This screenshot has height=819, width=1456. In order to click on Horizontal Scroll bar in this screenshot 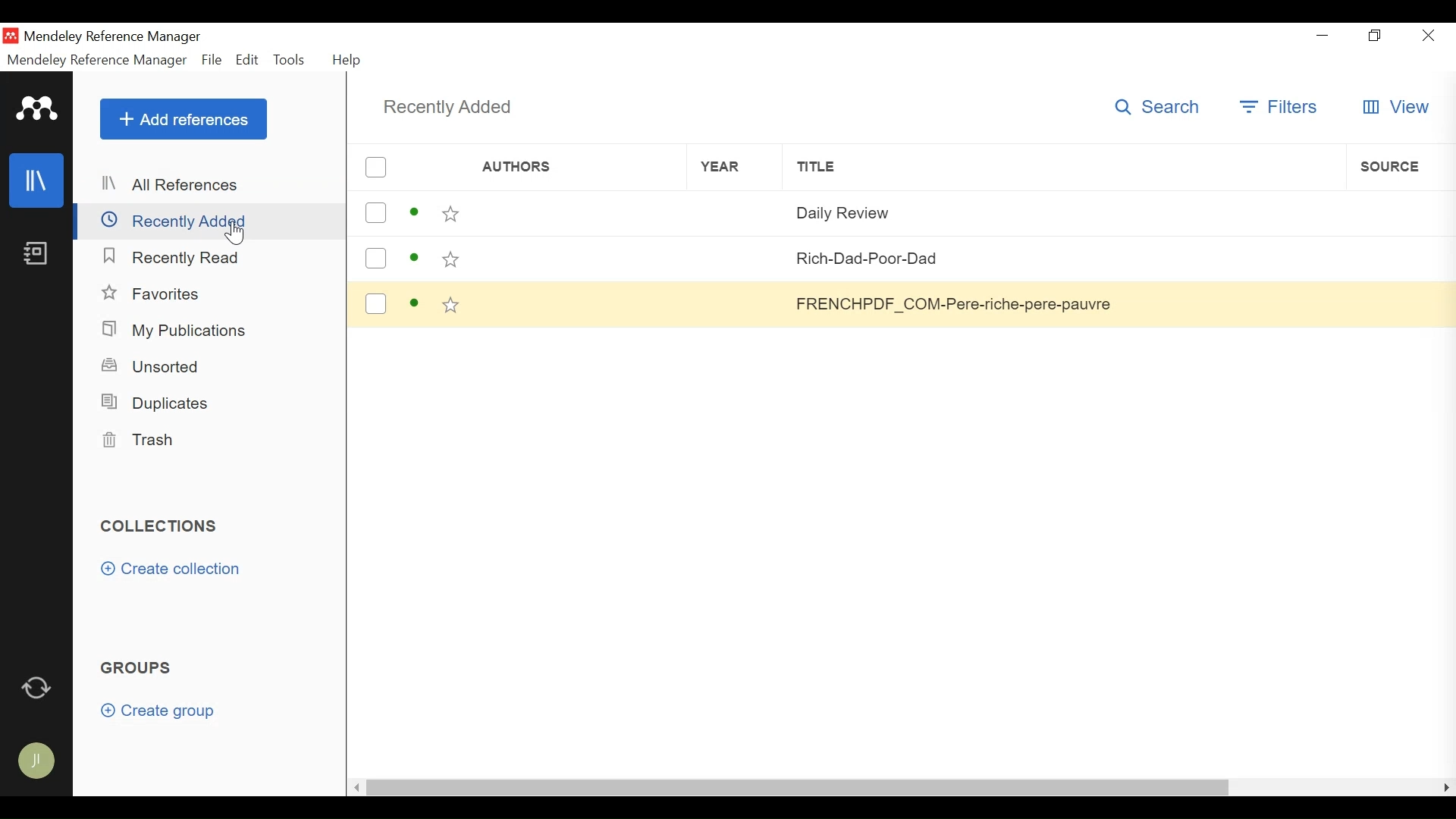, I will do `click(799, 790)`.